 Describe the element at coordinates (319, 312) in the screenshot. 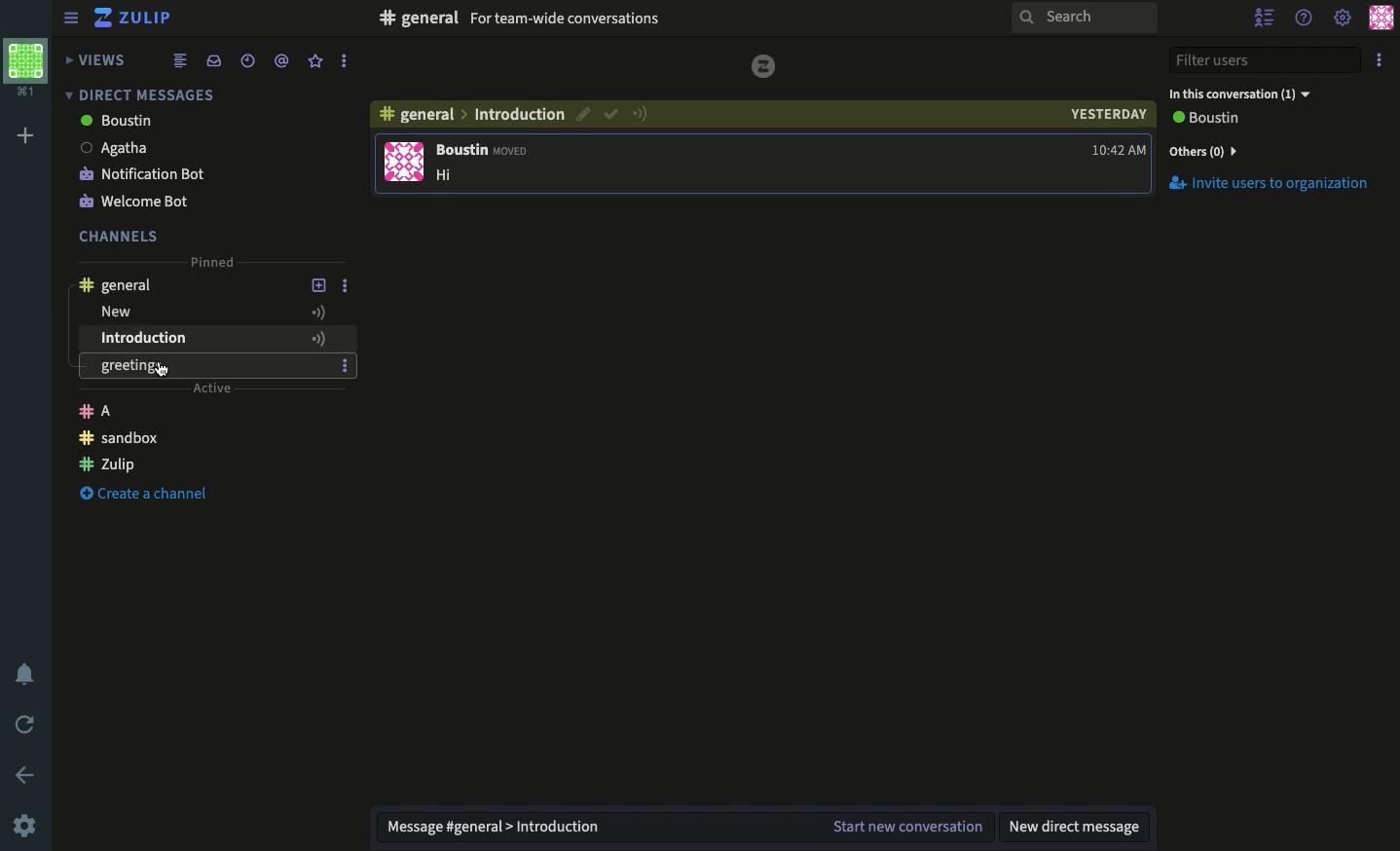

I see `Active` at that location.